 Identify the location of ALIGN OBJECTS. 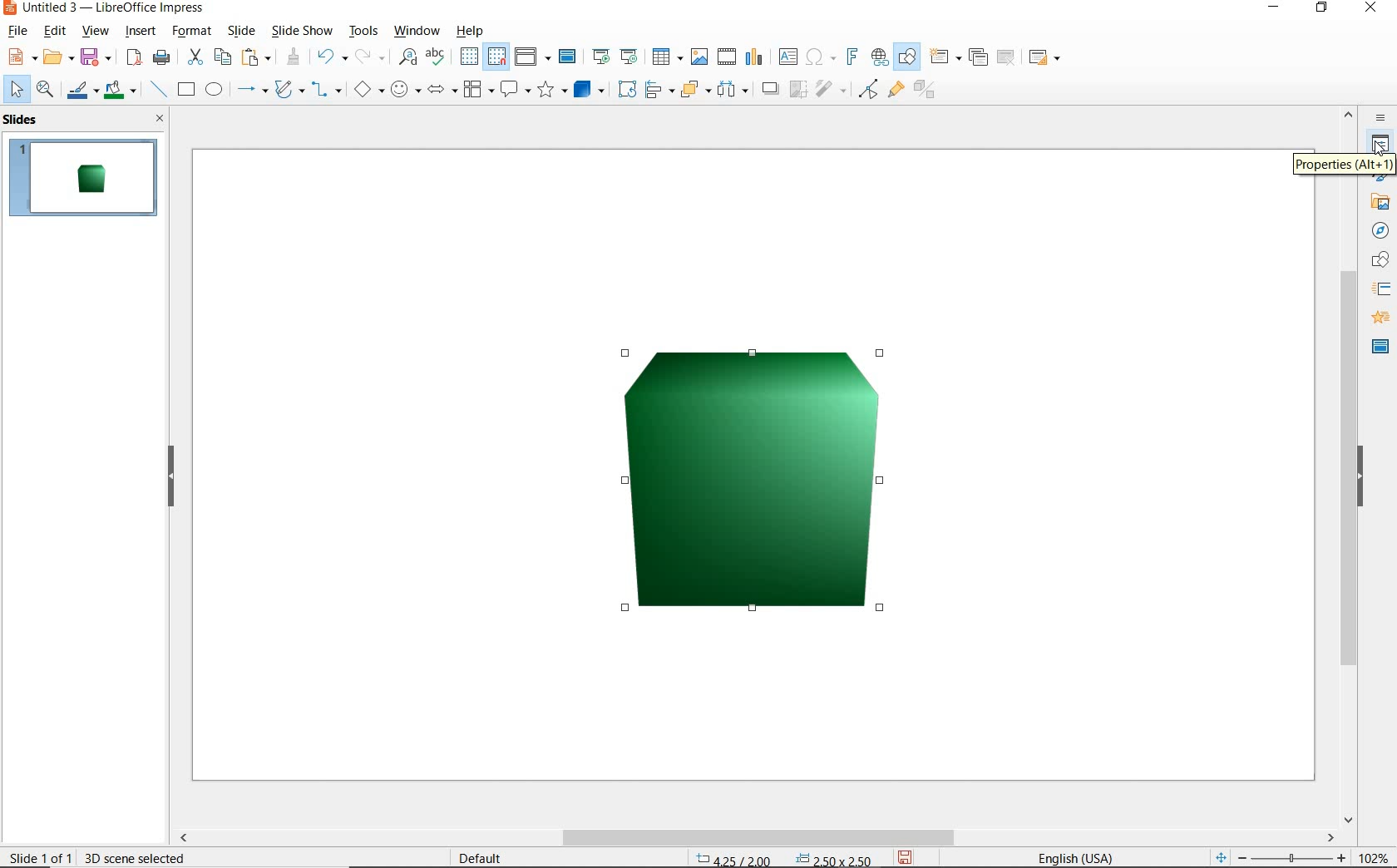
(659, 91).